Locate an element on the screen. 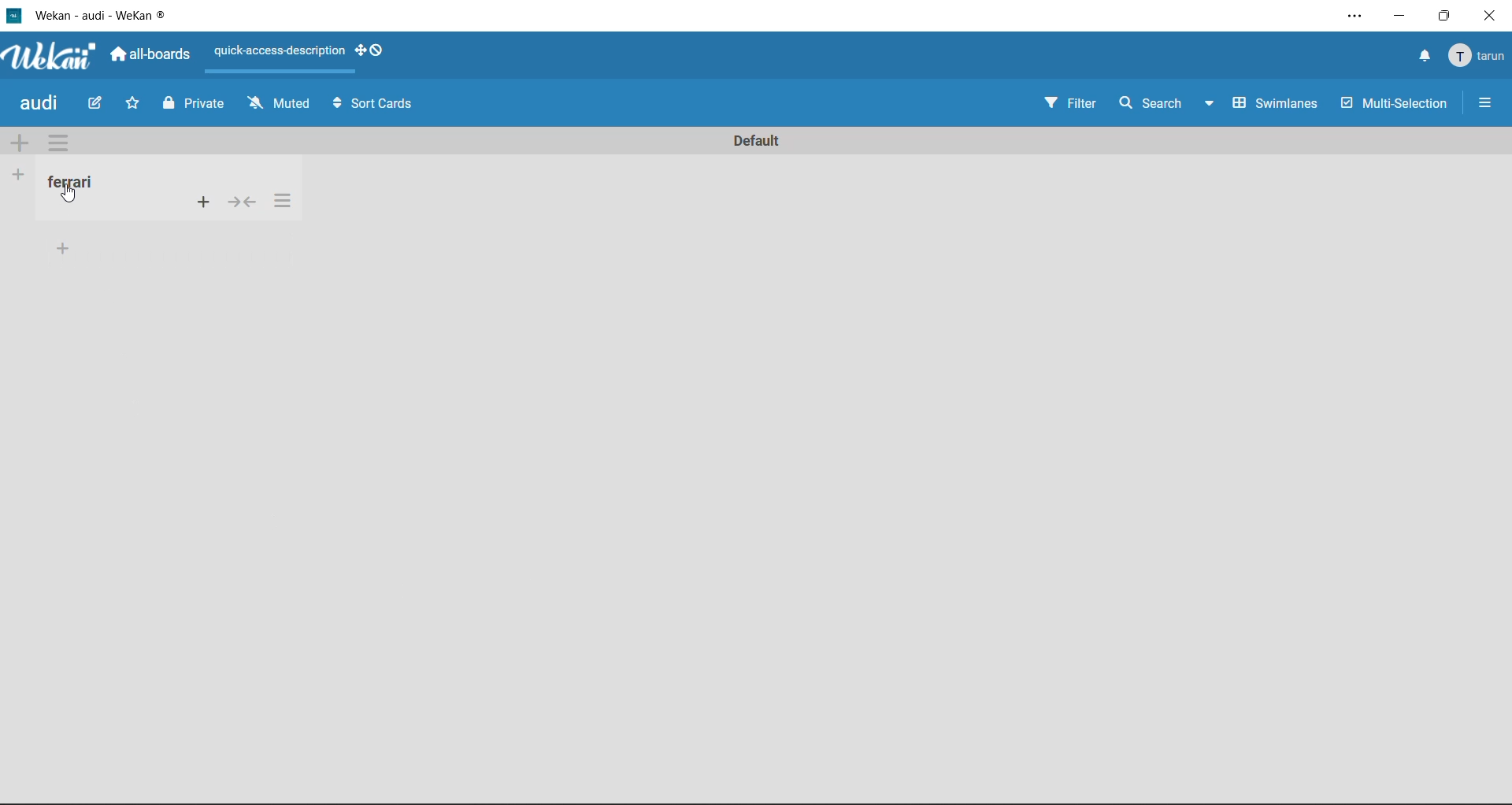  ferrari is located at coordinates (80, 184).